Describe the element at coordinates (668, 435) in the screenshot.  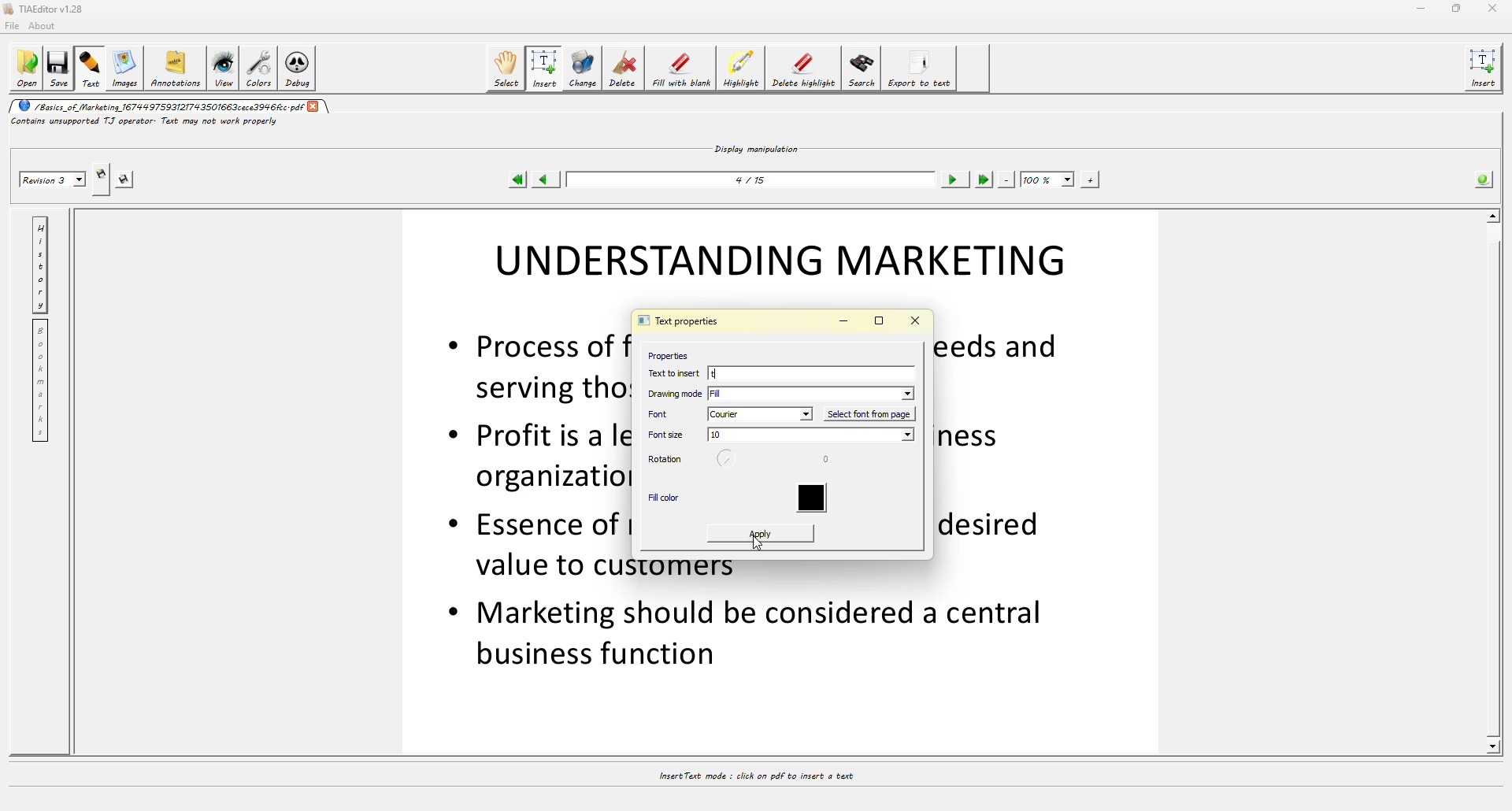
I see `font size` at that location.